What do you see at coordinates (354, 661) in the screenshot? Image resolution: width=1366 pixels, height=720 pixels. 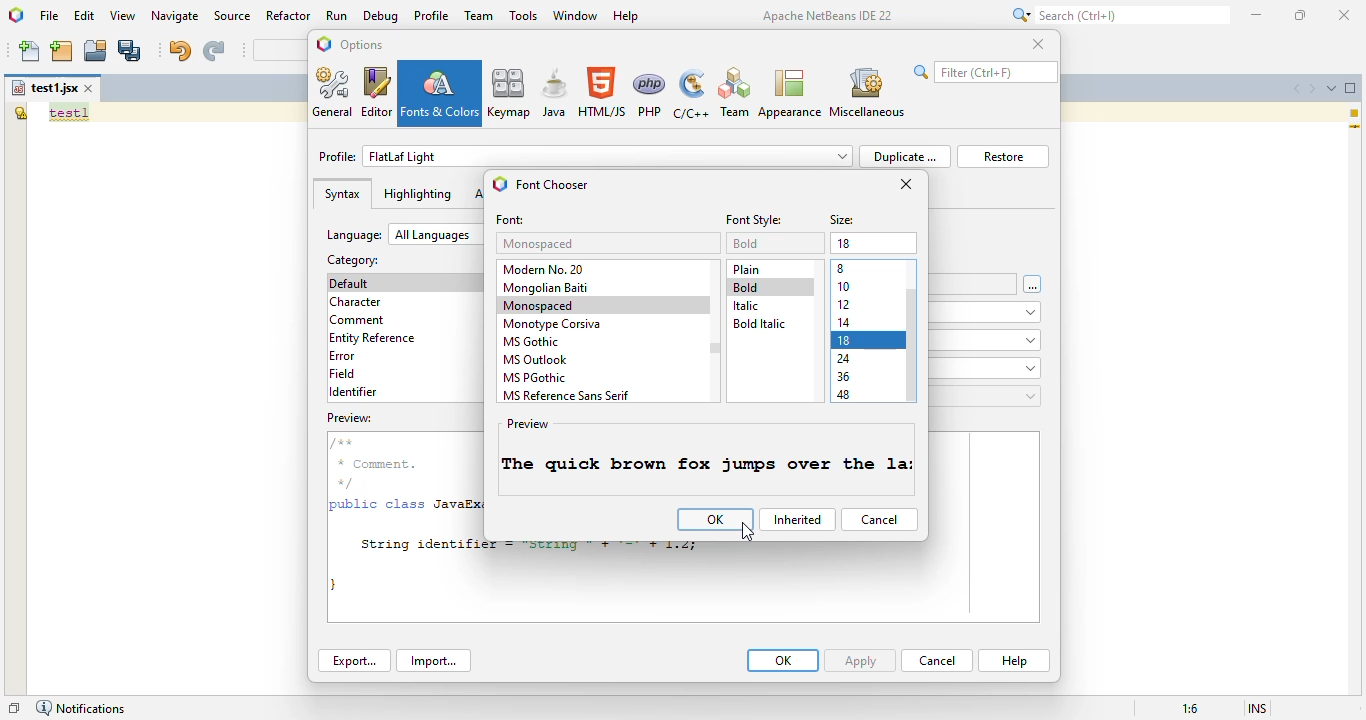 I see `export` at bounding box center [354, 661].